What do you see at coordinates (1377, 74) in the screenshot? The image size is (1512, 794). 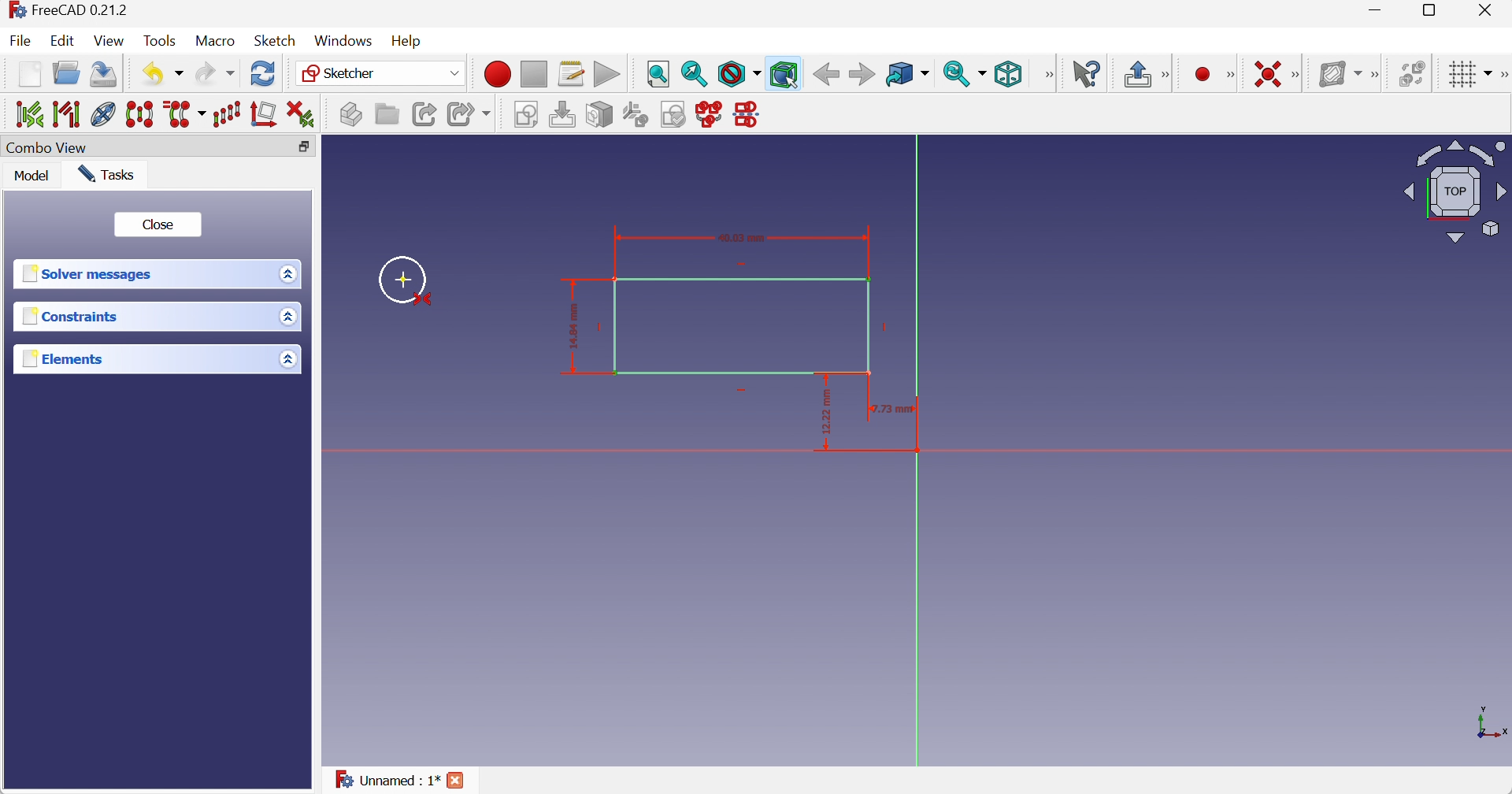 I see `[Sketcher B-spline tools]` at bounding box center [1377, 74].